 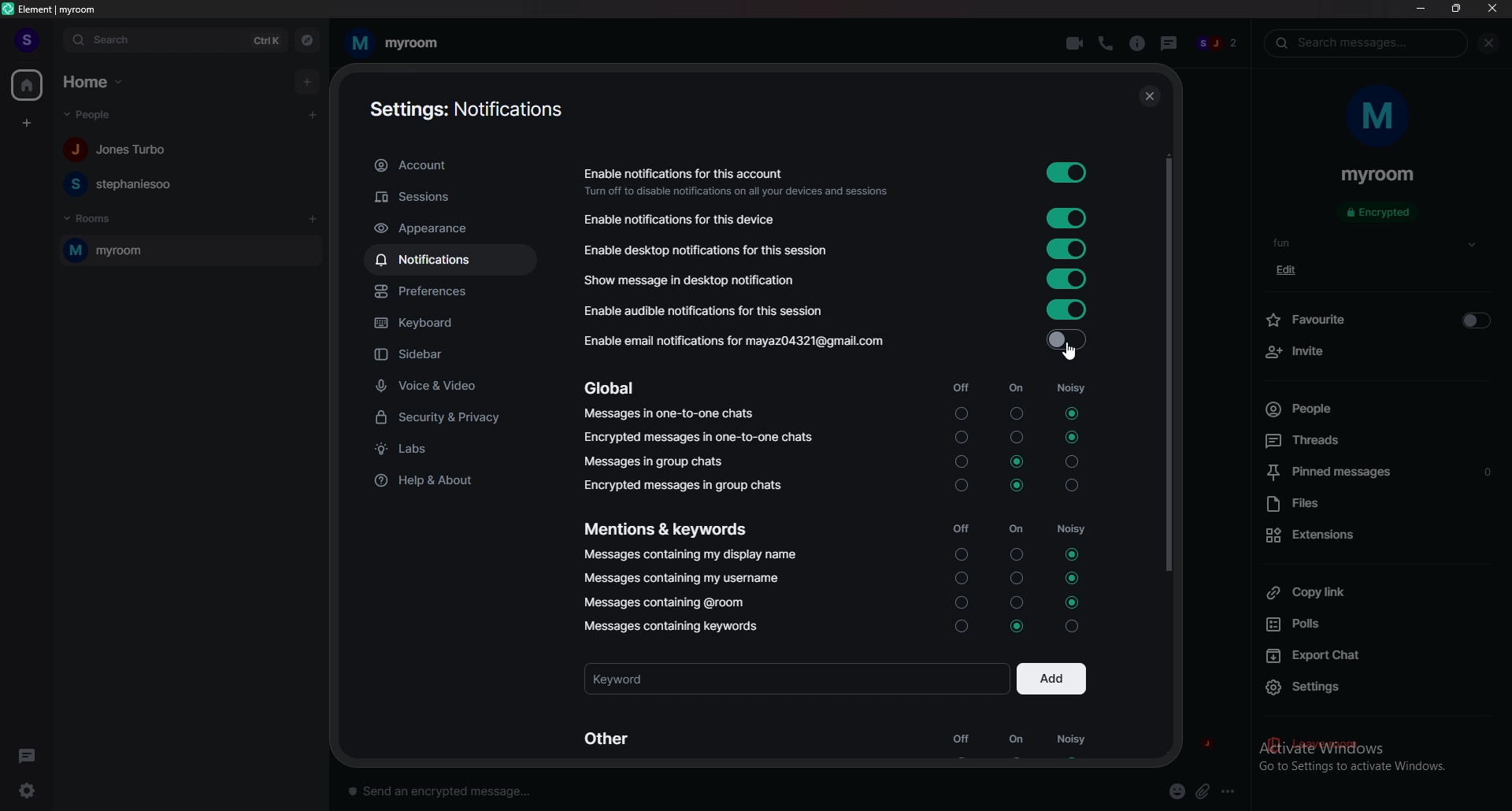 What do you see at coordinates (1456, 8) in the screenshot?
I see `resize` at bounding box center [1456, 8].